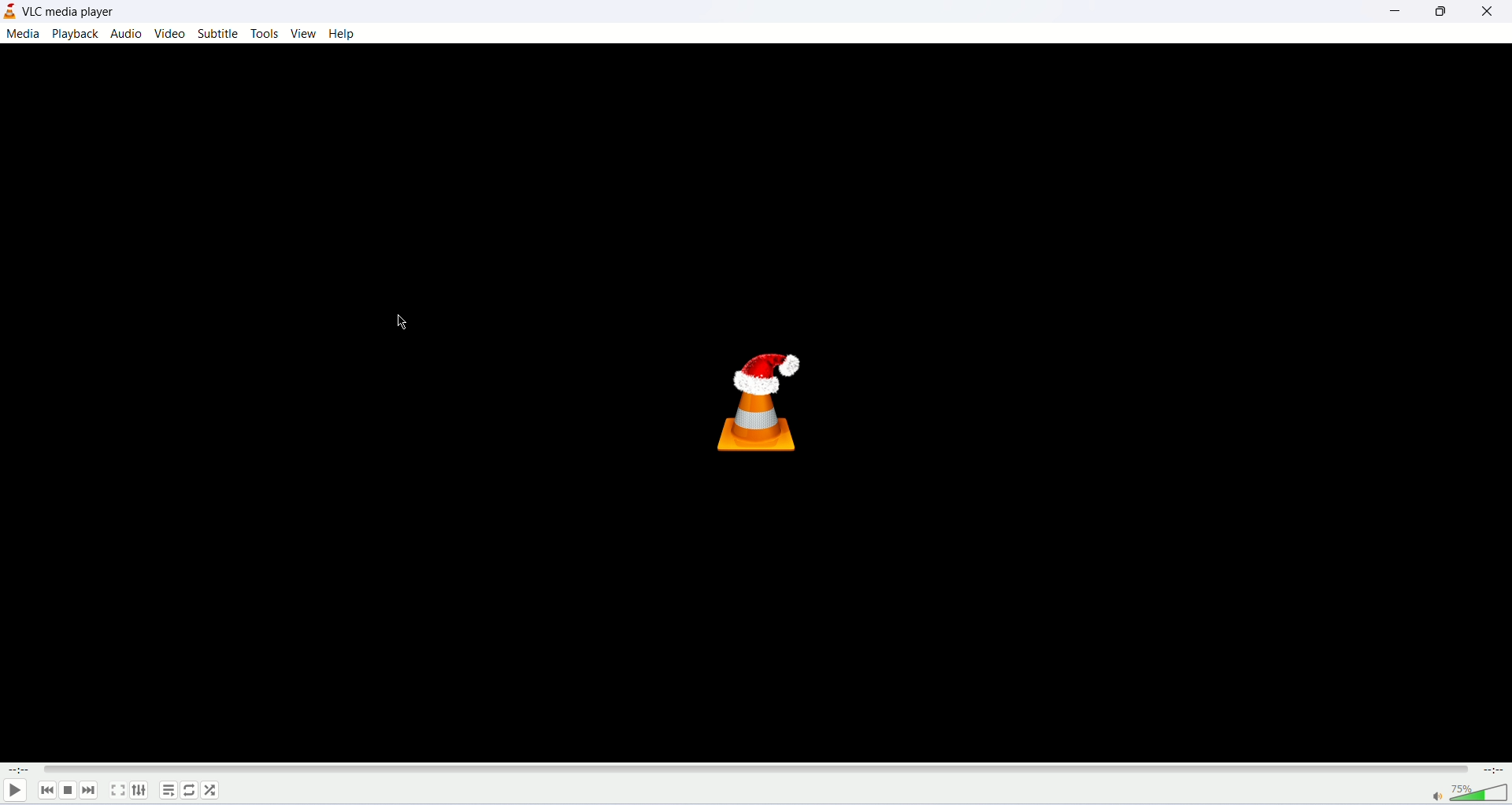 This screenshot has width=1512, height=805. I want to click on minimize, so click(1402, 9).